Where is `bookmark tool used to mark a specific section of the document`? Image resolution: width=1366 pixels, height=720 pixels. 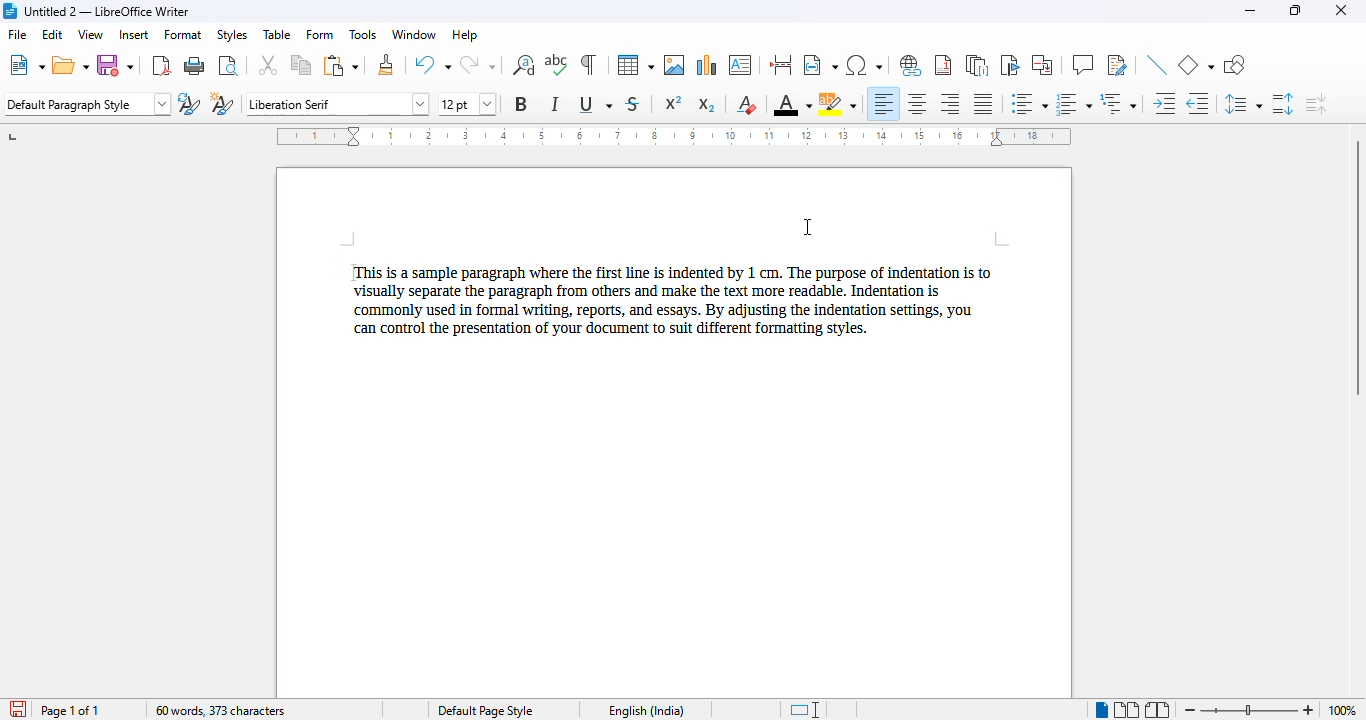
bookmark tool used to mark a specific section of the document is located at coordinates (352, 272).